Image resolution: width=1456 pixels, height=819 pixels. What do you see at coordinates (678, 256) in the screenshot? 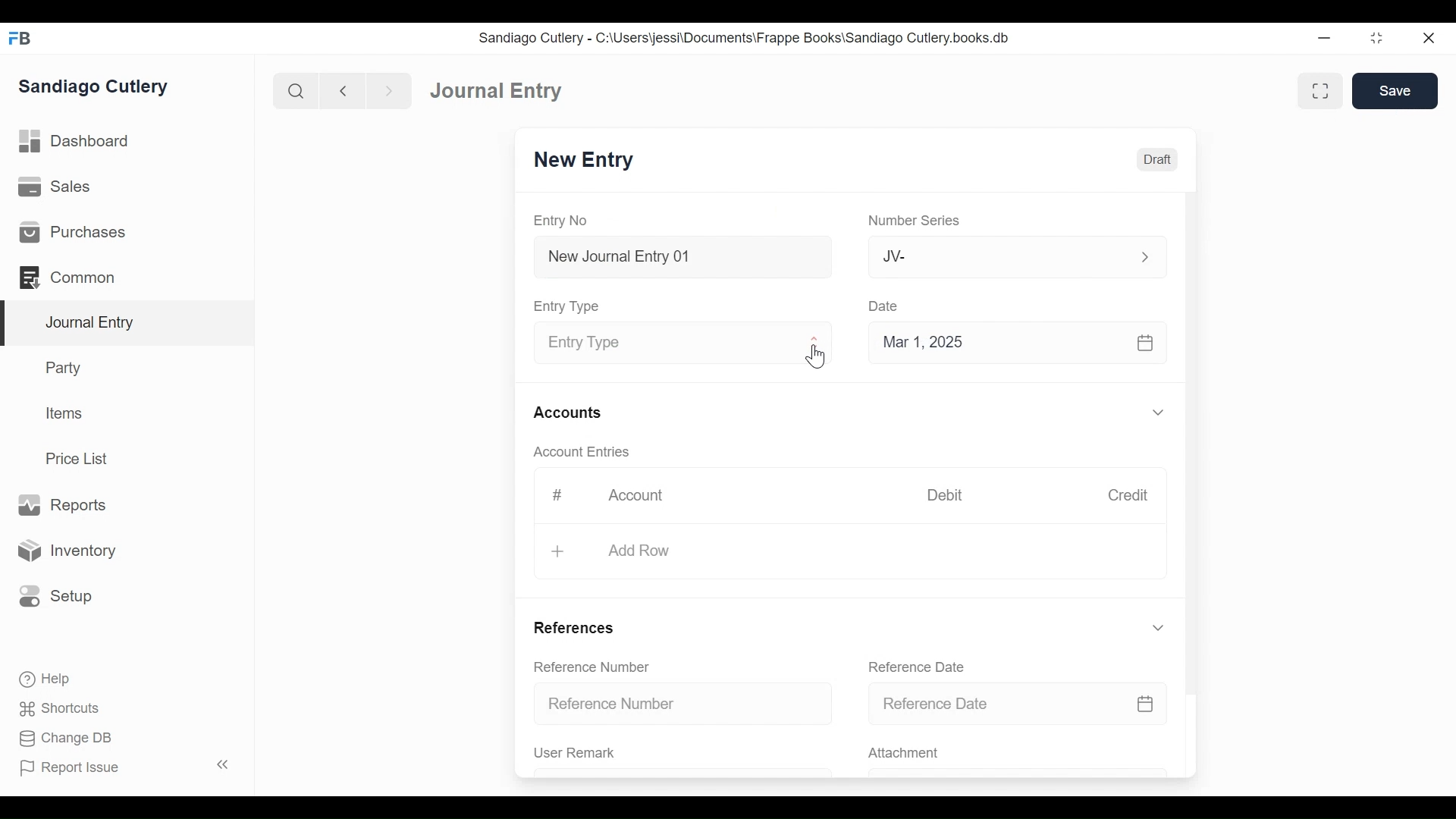
I see `New Journal Entry 01` at bounding box center [678, 256].